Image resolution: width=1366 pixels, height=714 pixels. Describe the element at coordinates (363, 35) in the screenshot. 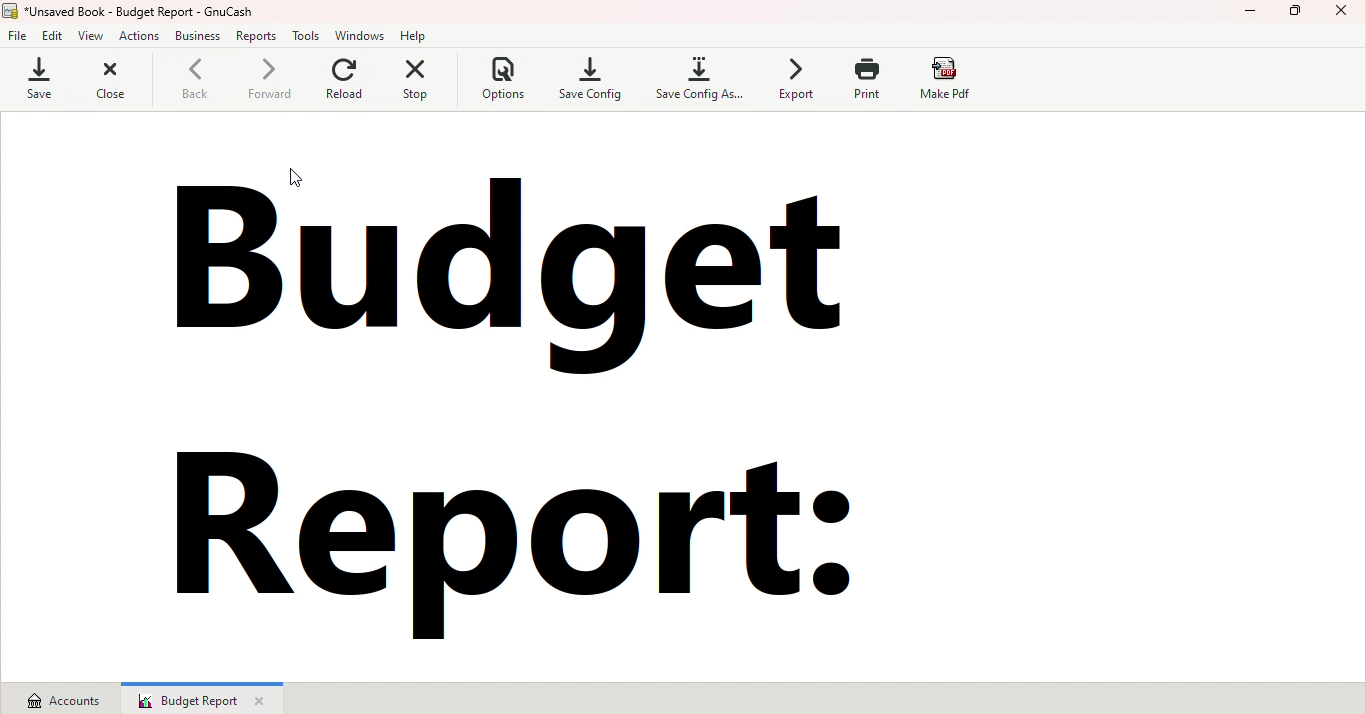

I see `Windows` at that location.